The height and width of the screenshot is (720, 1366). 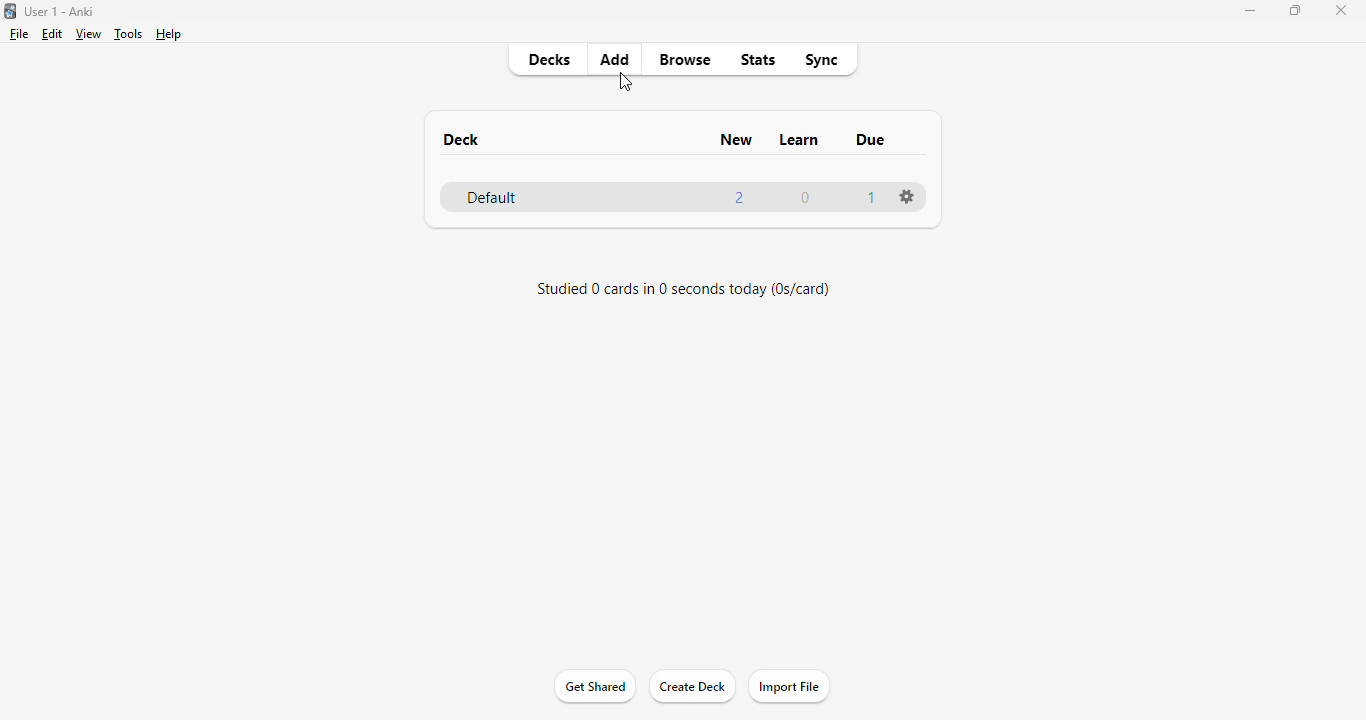 I want to click on default, so click(x=491, y=197).